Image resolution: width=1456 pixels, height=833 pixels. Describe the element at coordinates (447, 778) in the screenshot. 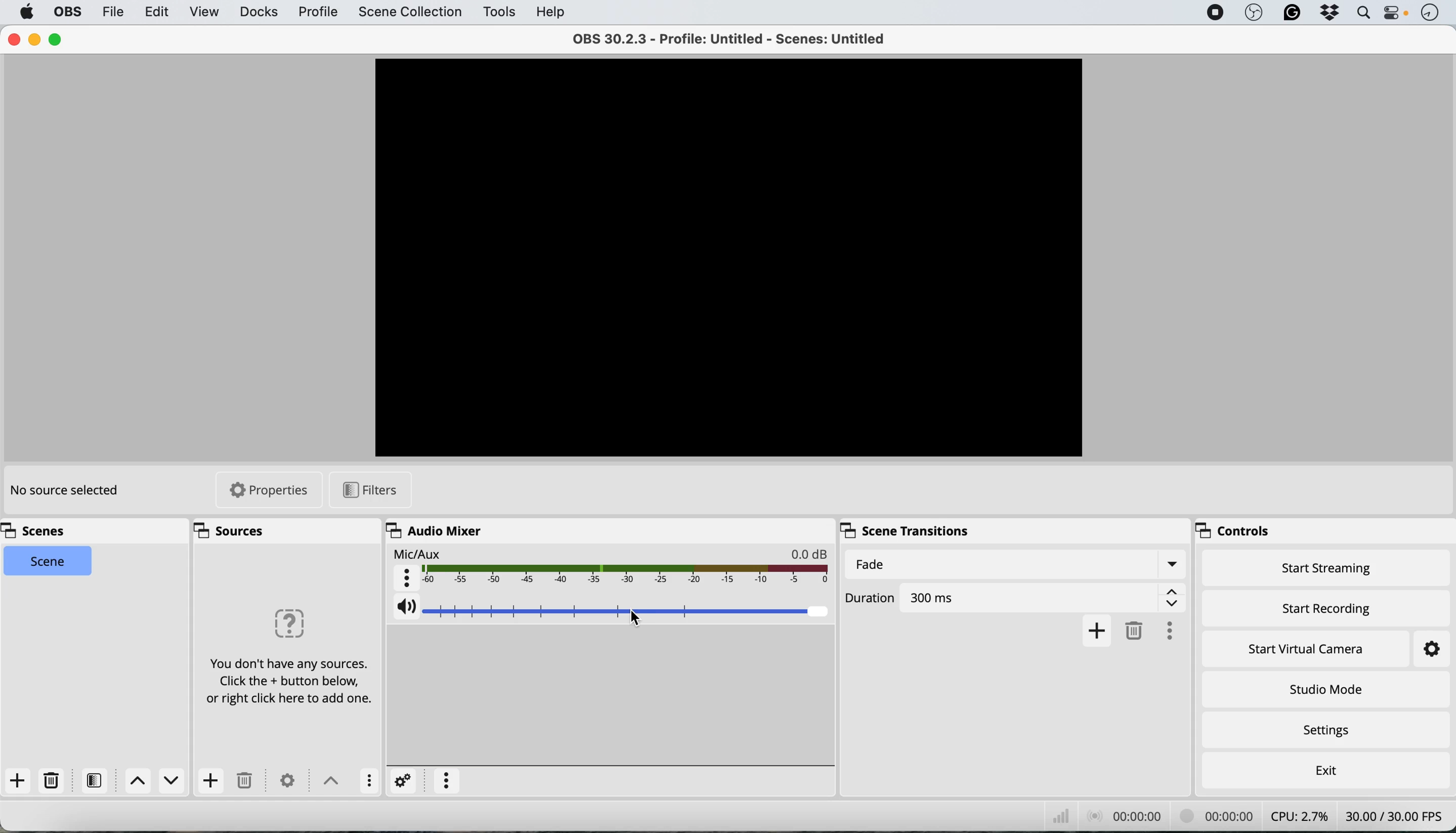

I see `more options` at that location.